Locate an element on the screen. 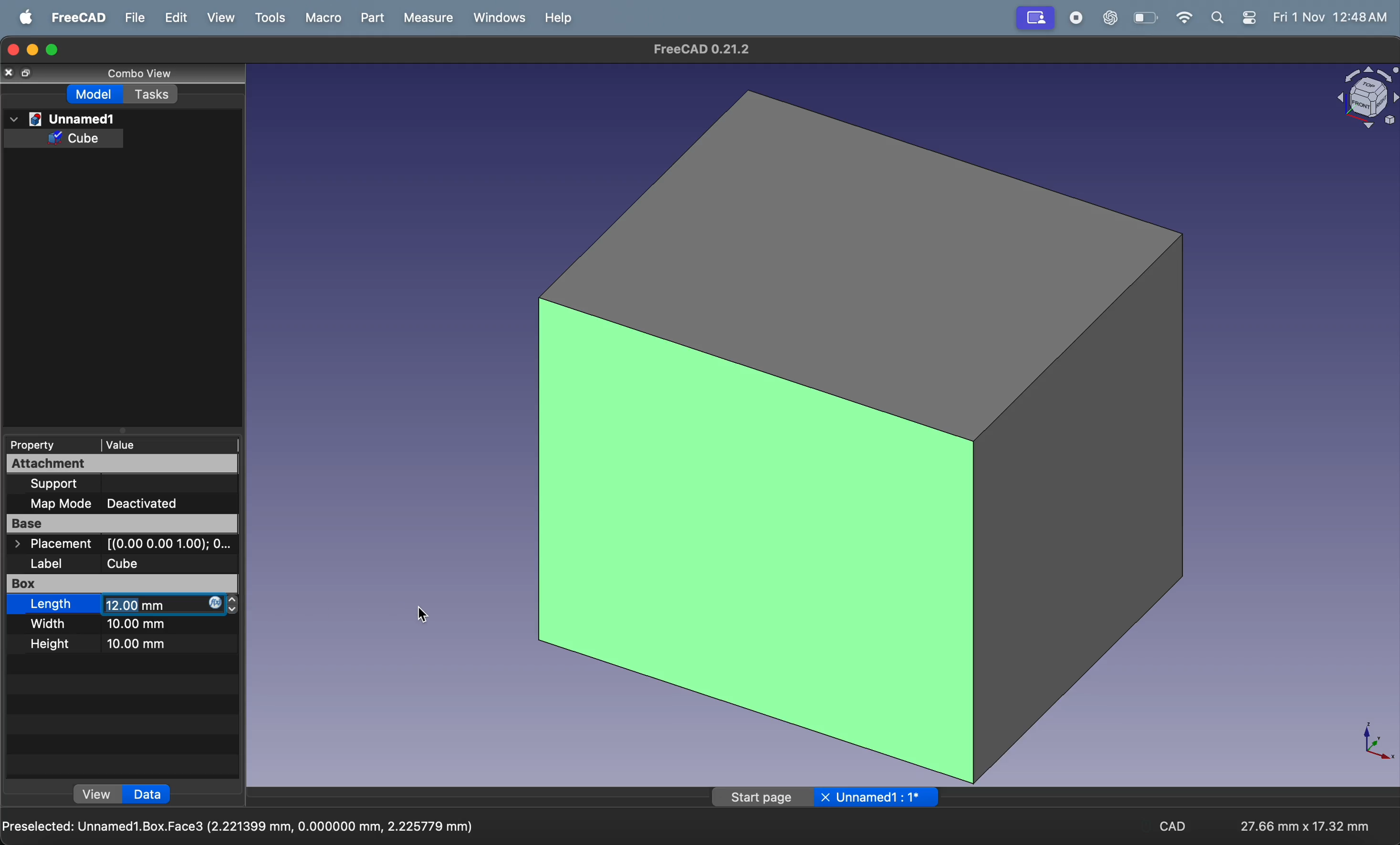 Image resolution: width=1400 pixels, height=845 pixels. measure is located at coordinates (427, 18).